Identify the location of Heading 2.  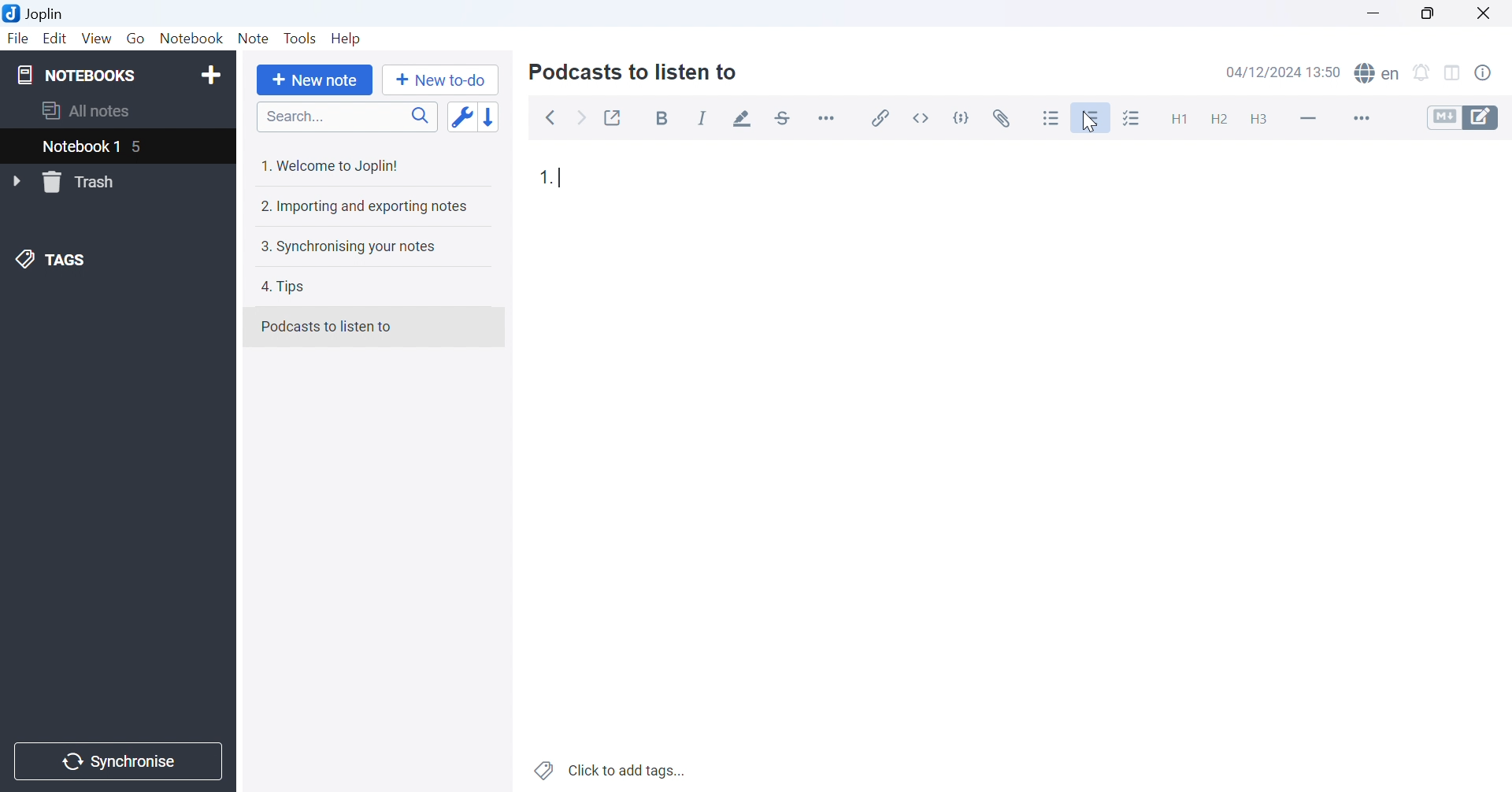
(1218, 117).